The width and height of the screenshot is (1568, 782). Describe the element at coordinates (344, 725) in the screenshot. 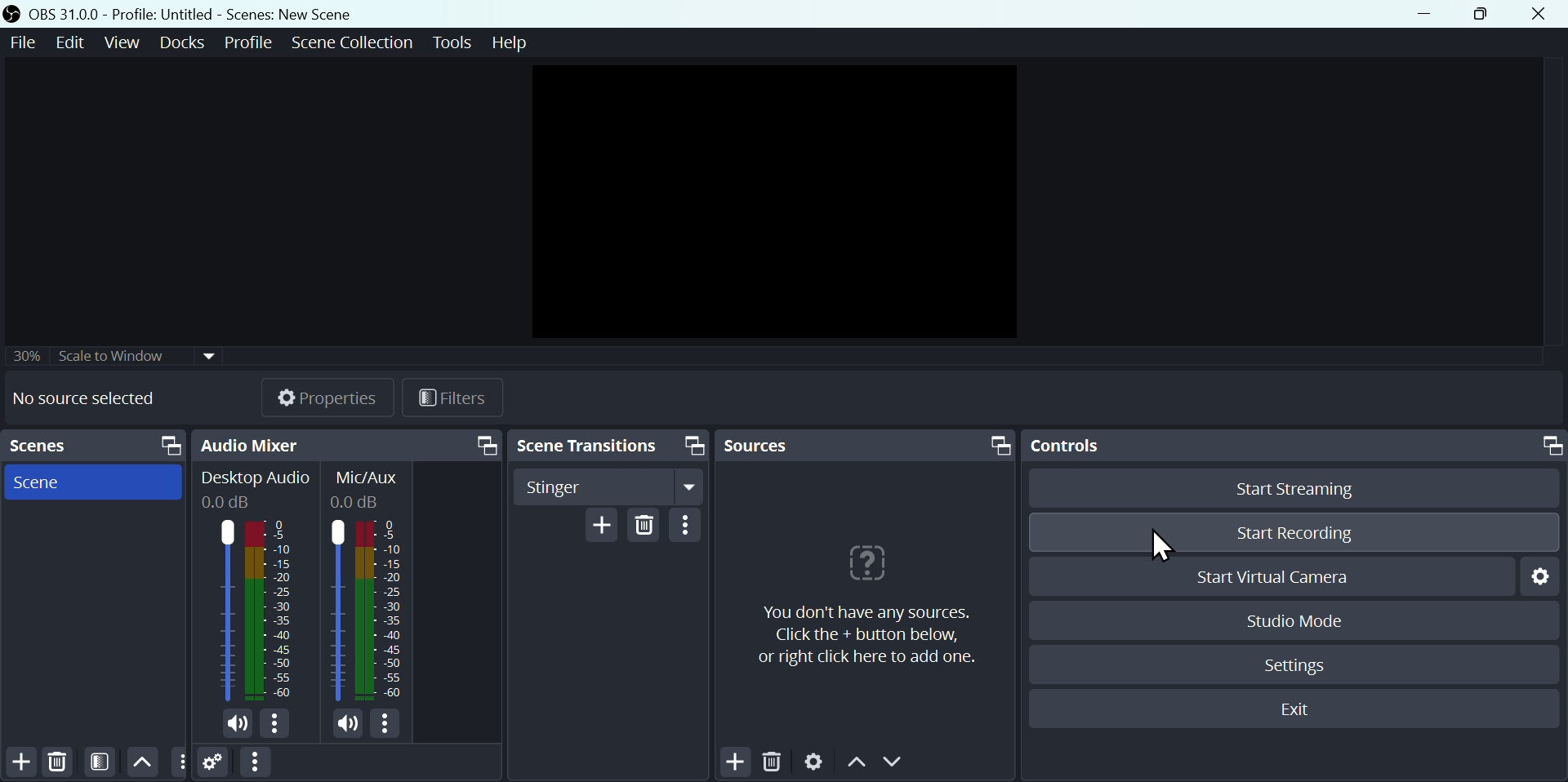

I see `speaker` at that location.